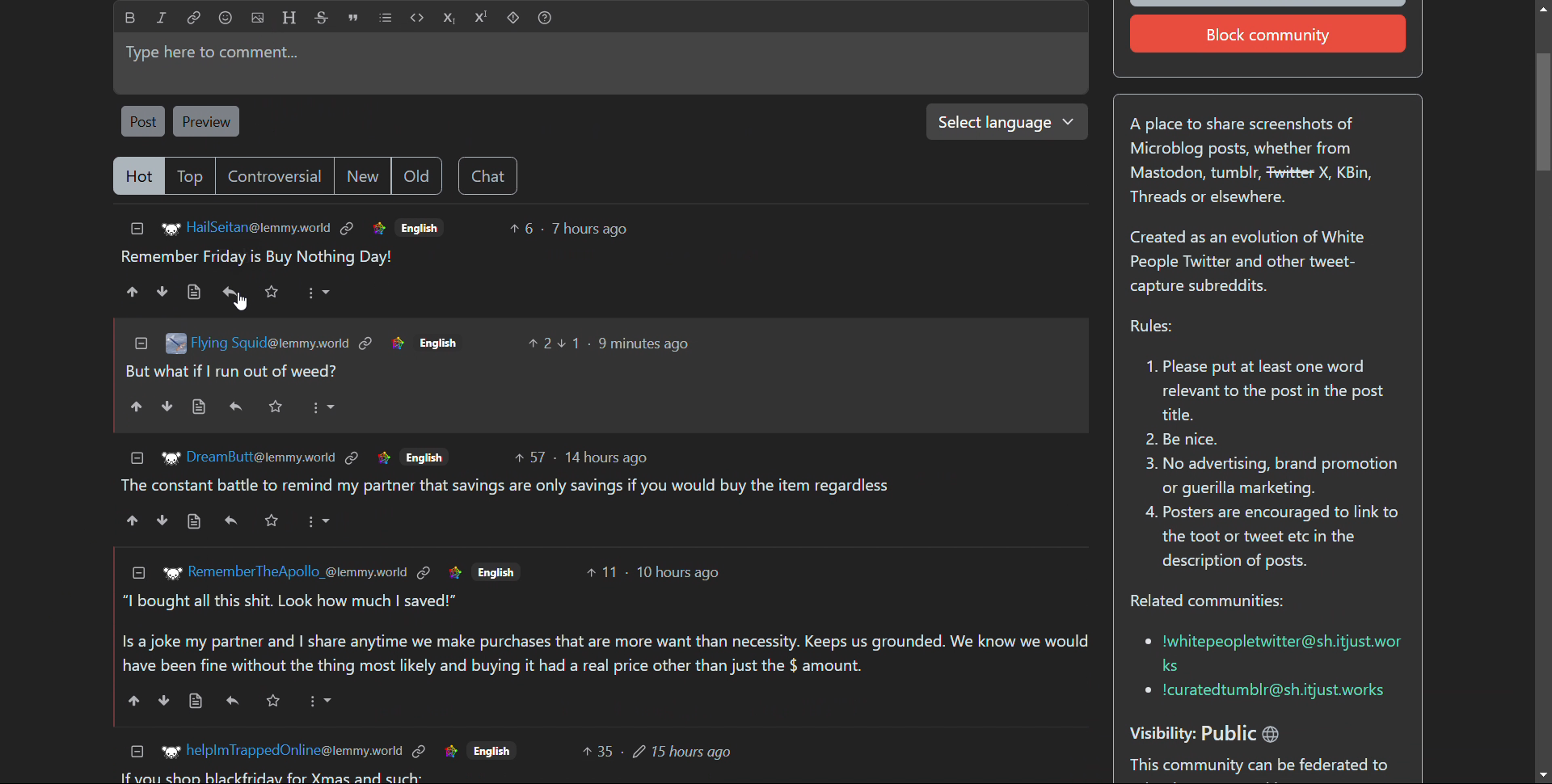 This screenshot has width=1552, height=784. What do you see at coordinates (603, 634) in the screenshot?
I see `comment` at bounding box center [603, 634].